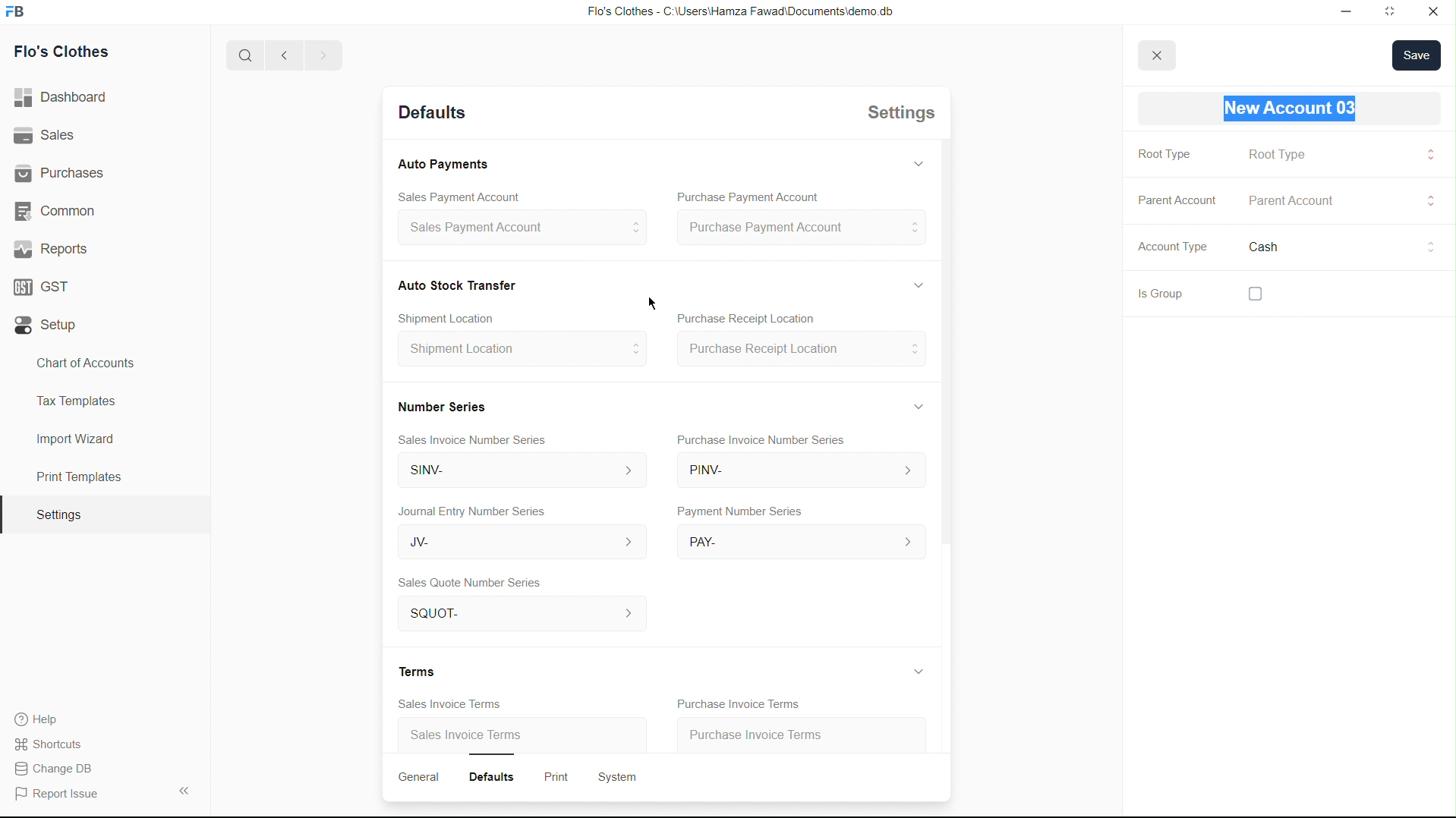 Image resolution: width=1456 pixels, height=818 pixels. Describe the element at coordinates (1162, 155) in the screenshot. I see `Root Type` at that location.